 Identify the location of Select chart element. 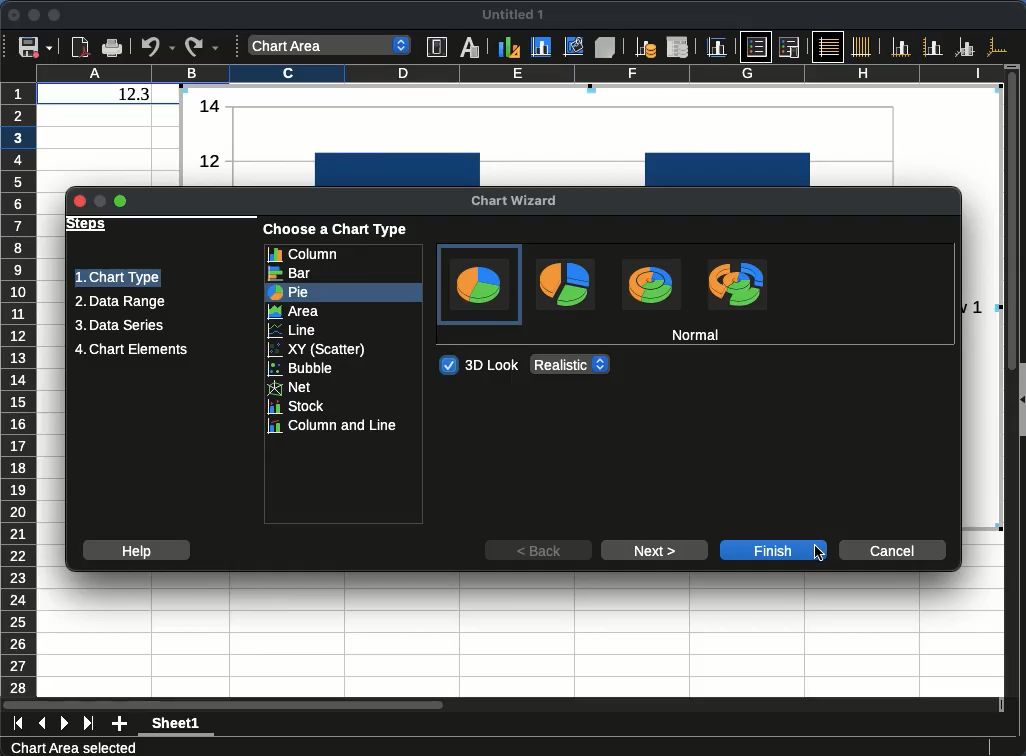
(330, 45).